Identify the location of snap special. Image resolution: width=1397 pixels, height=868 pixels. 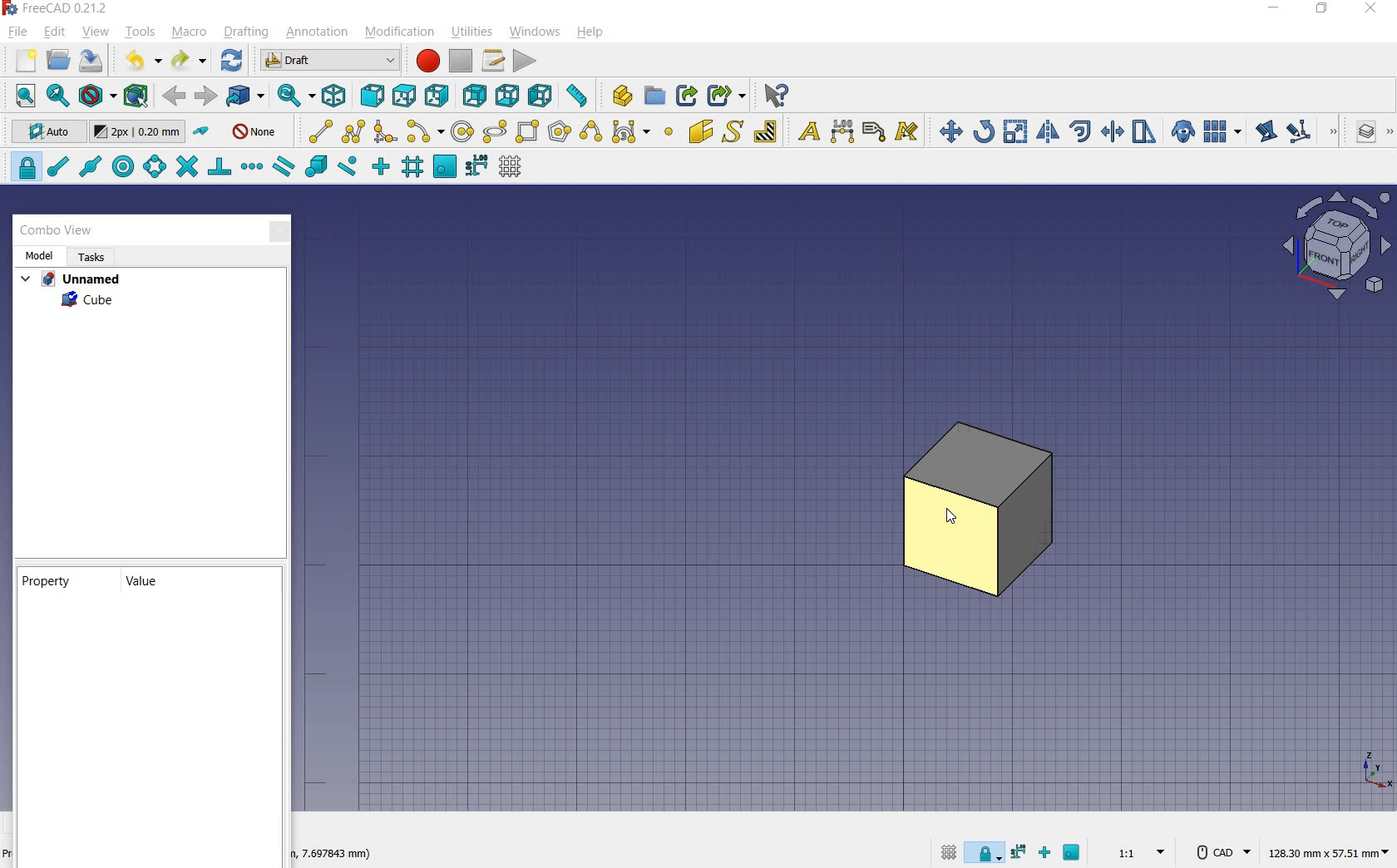
(316, 166).